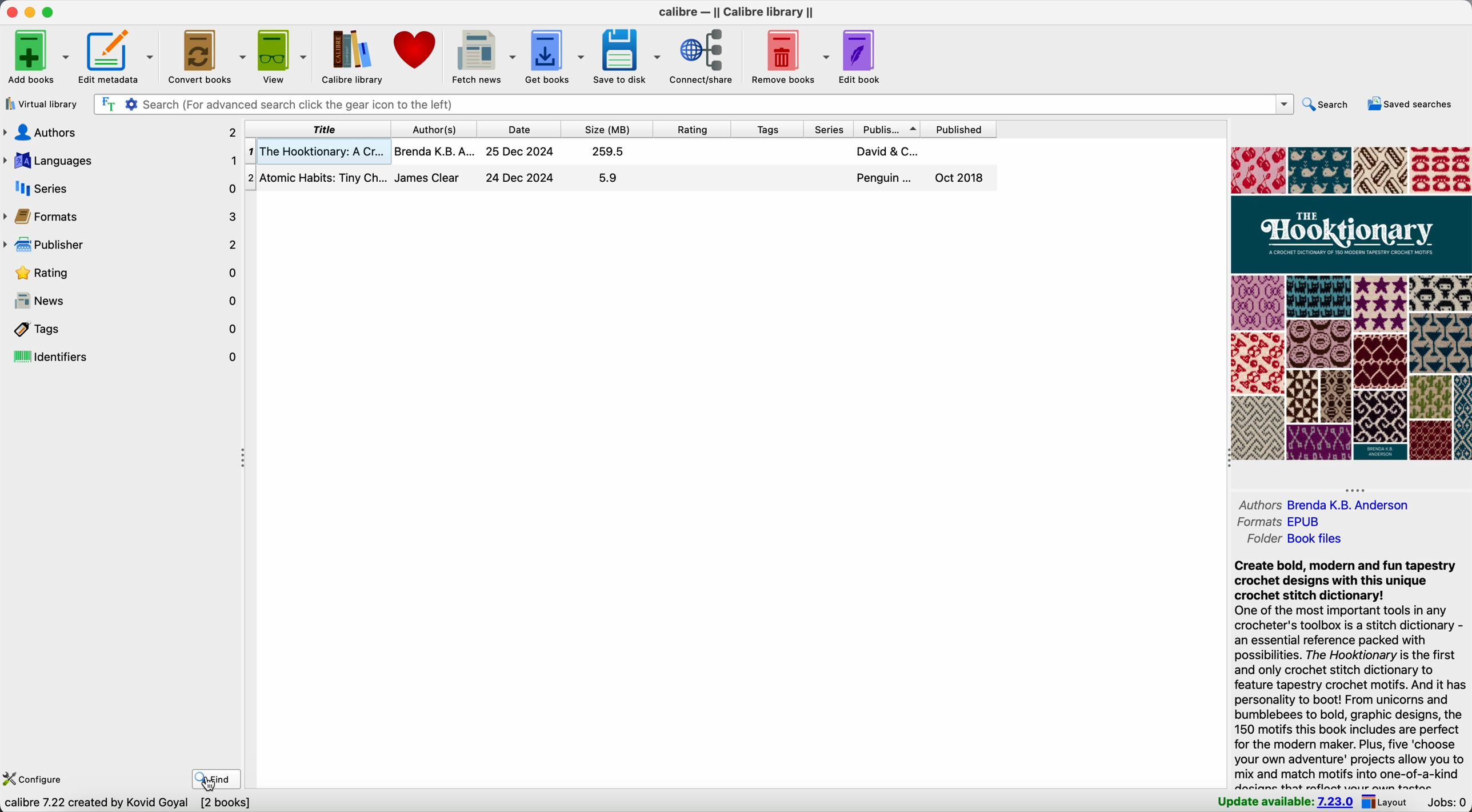 The height and width of the screenshot is (812, 1472). What do you see at coordinates (606, 129) in the screenshot?
I see `size` at bounding box center [606, 129].